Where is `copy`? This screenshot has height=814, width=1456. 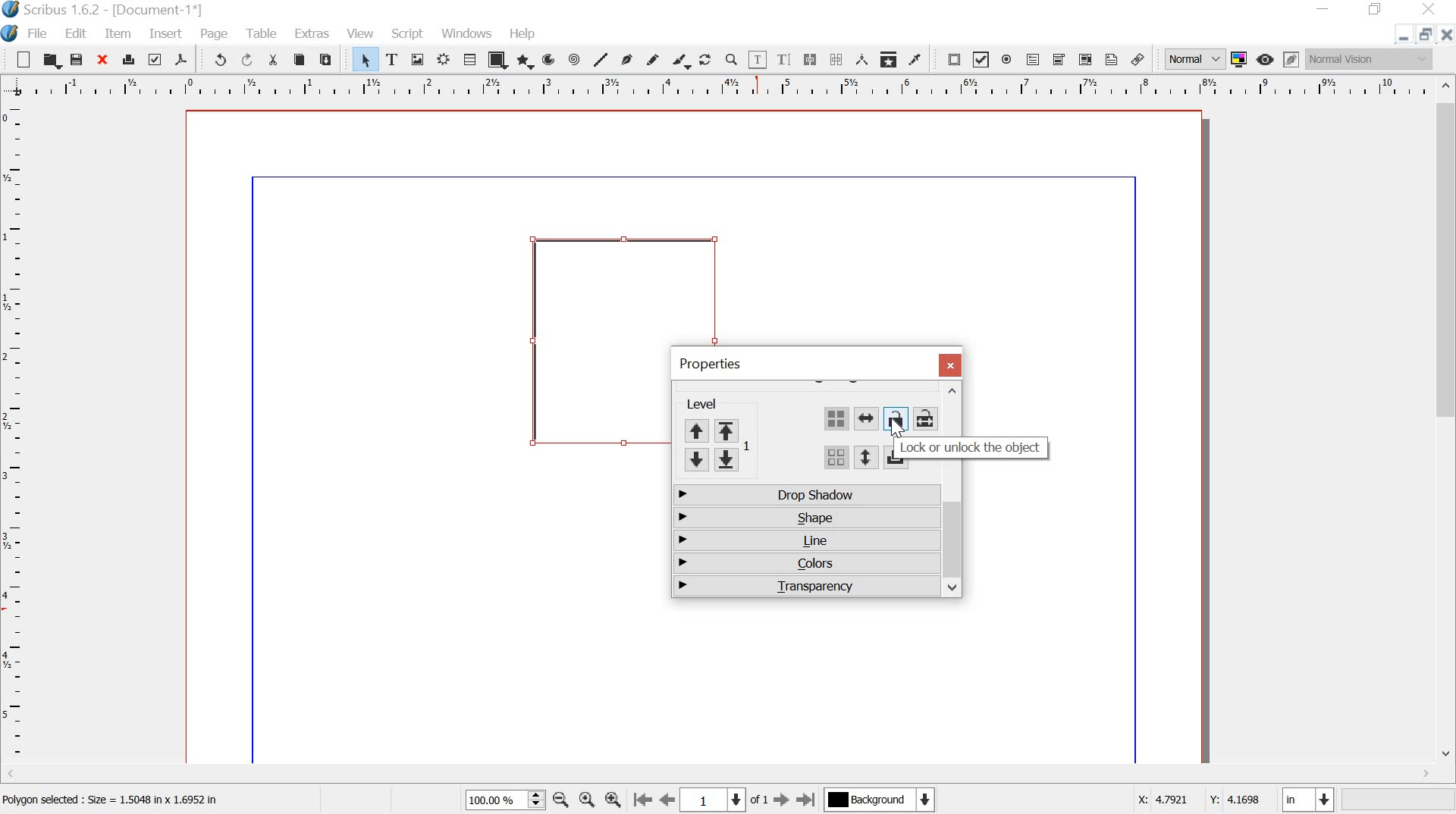 copy is located at coordinates (300, 60).